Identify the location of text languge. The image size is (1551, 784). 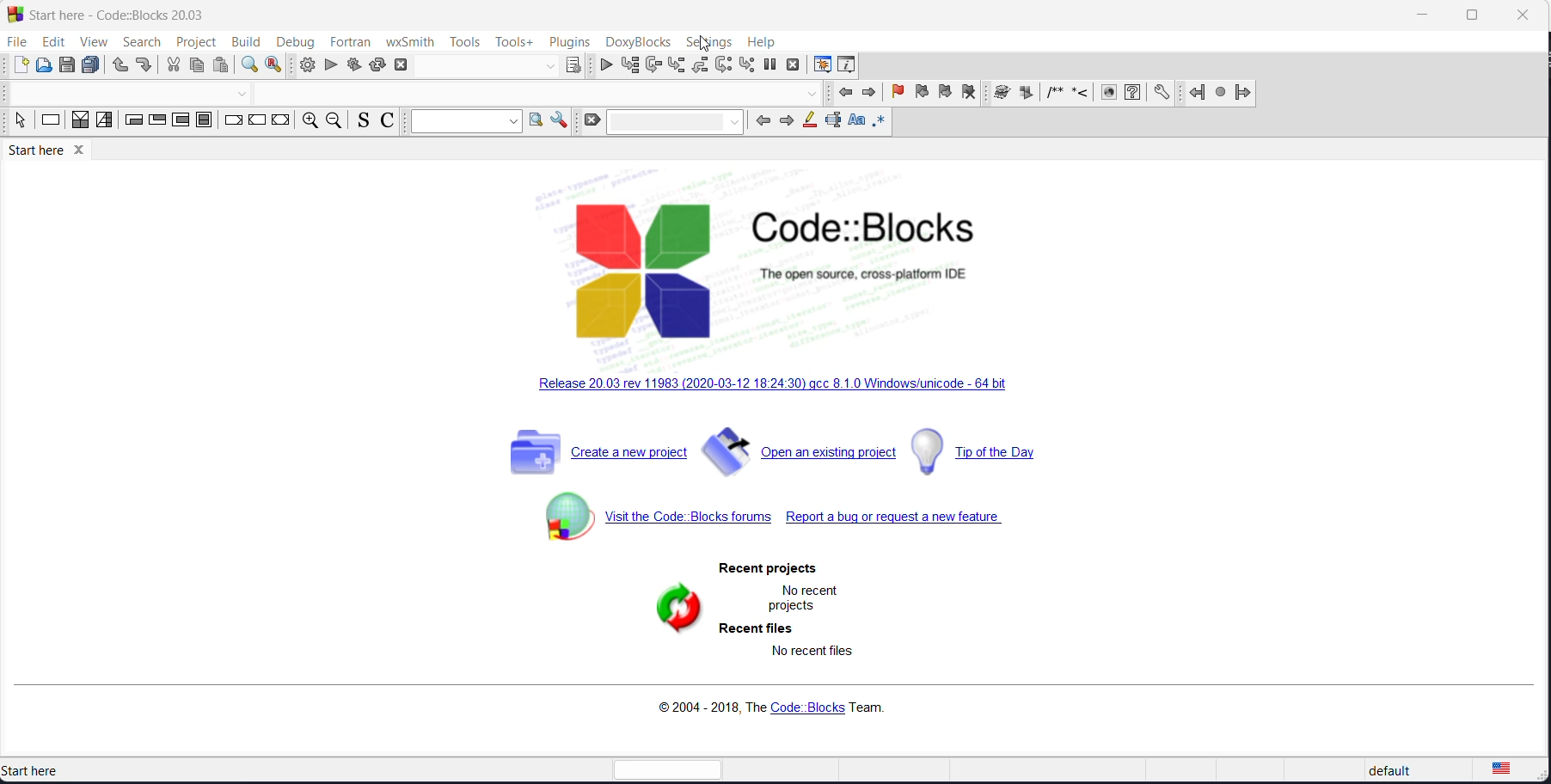
(1513, 772).